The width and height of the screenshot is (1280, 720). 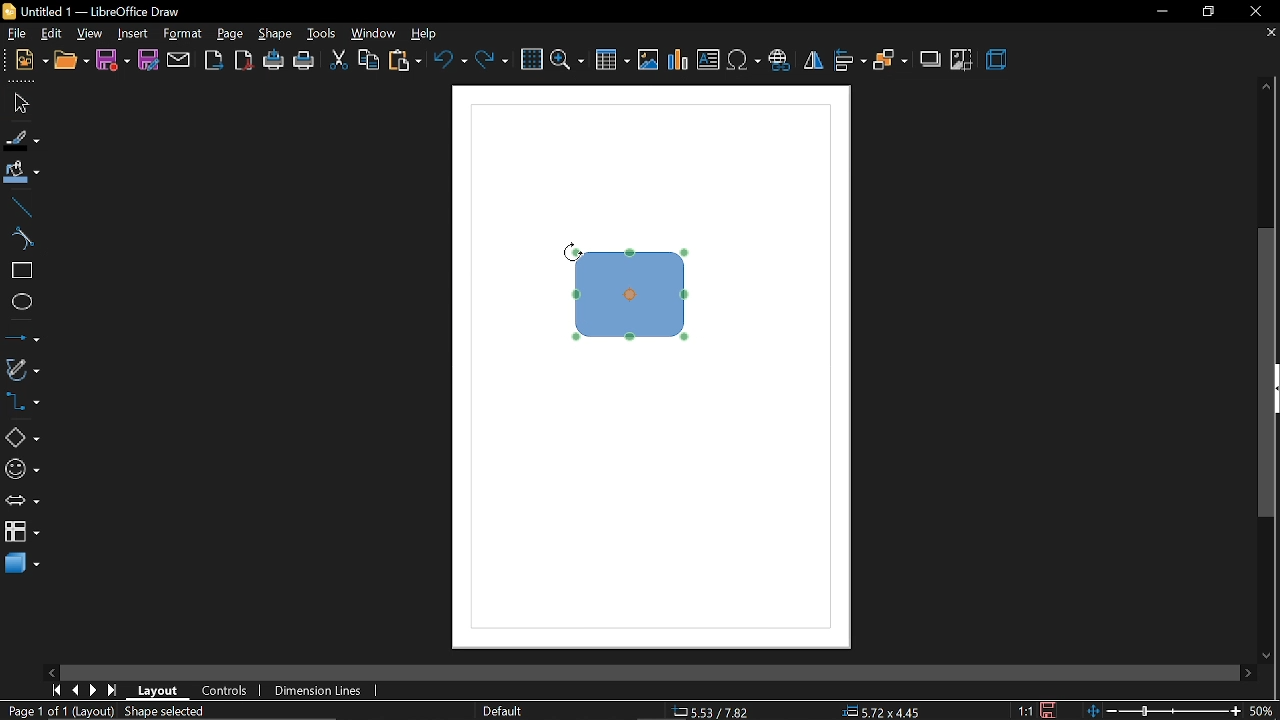 I want to click on controls, so click(x=227, y=689).